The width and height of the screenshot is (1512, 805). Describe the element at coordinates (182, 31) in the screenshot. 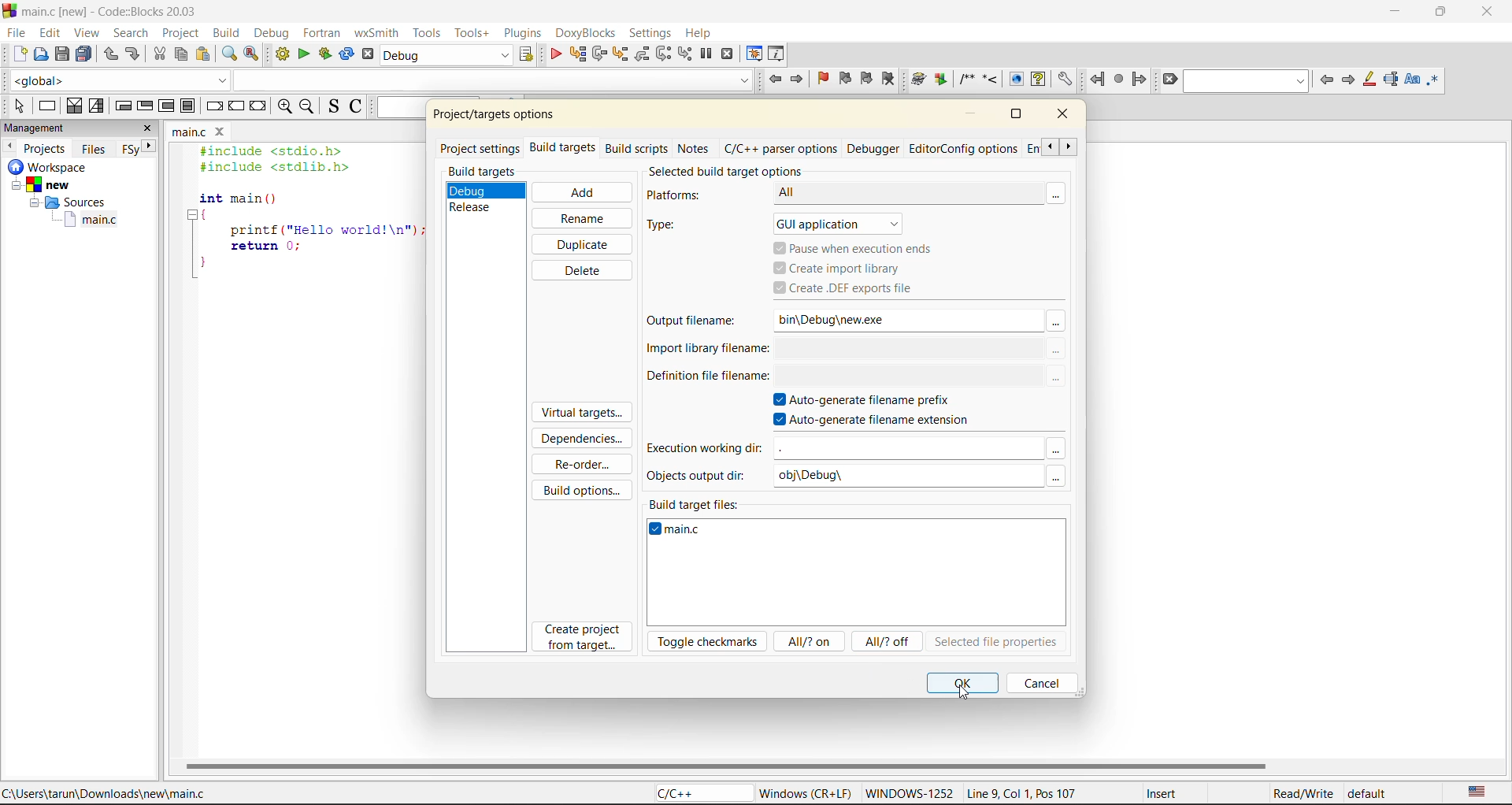

I see `project` at that location.